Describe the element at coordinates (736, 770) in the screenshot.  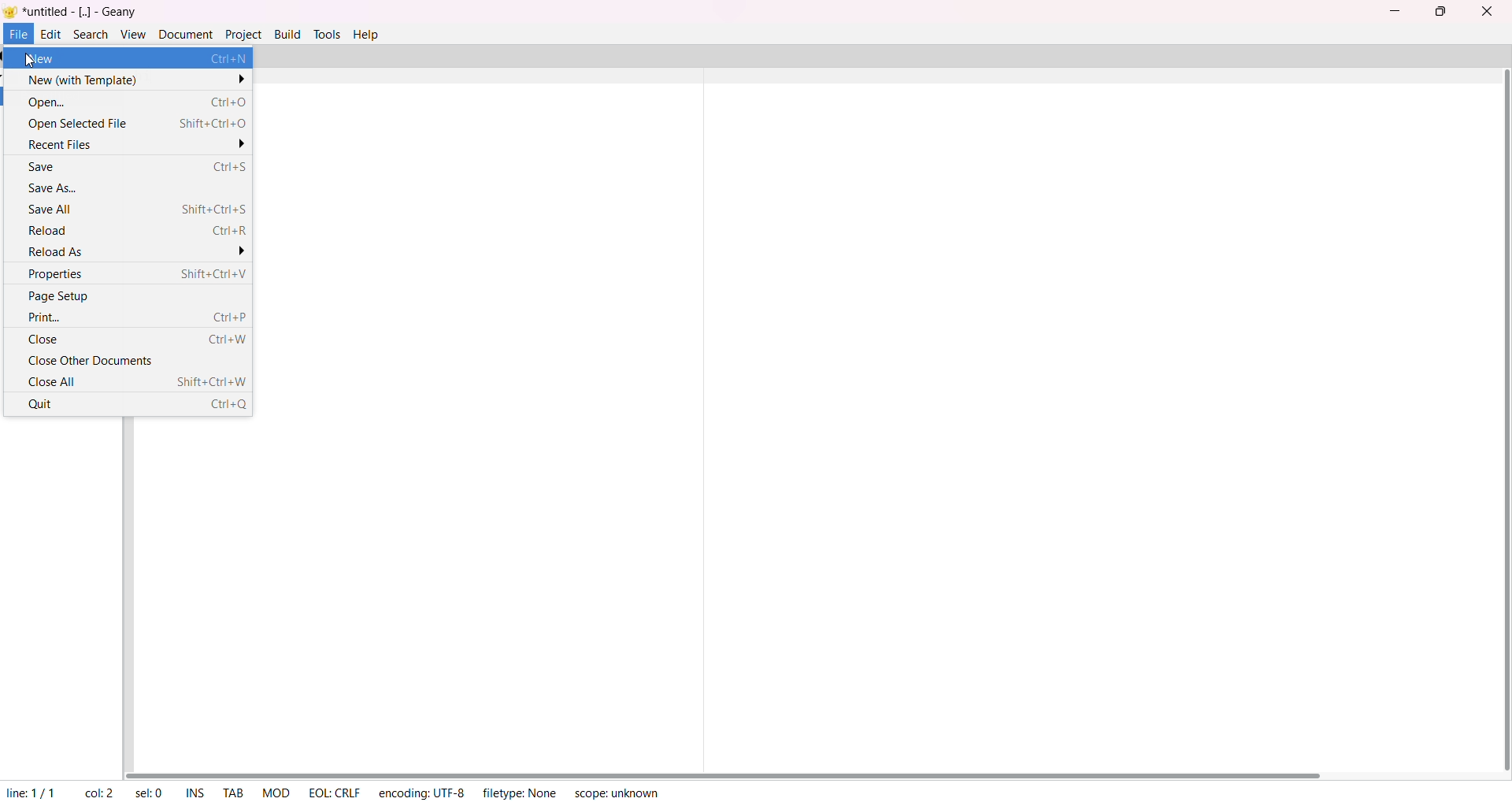
I see `scroll bar` at that location.